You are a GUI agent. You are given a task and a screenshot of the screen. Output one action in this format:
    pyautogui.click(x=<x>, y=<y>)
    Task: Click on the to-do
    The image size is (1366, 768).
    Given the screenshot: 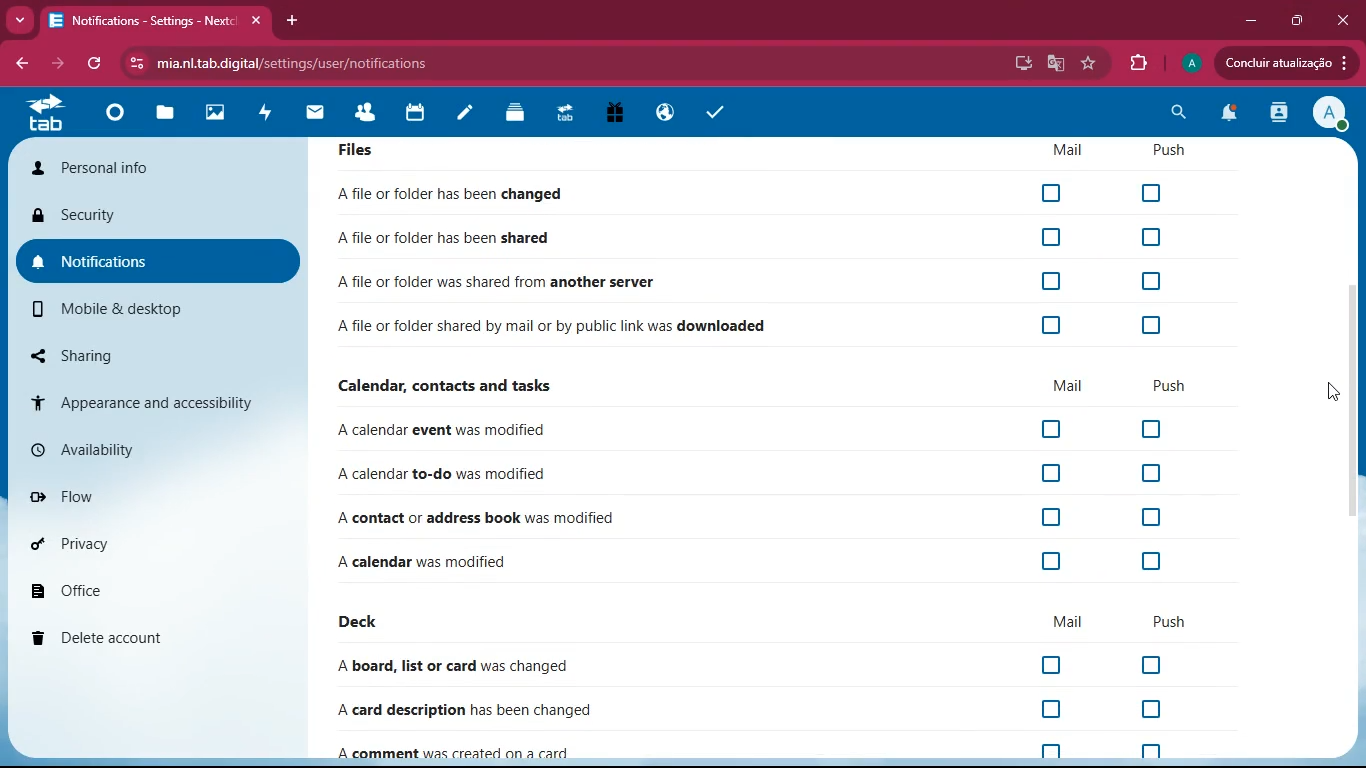 What is the action you would take?
    pyautogui.click(x=447, y=471)
    